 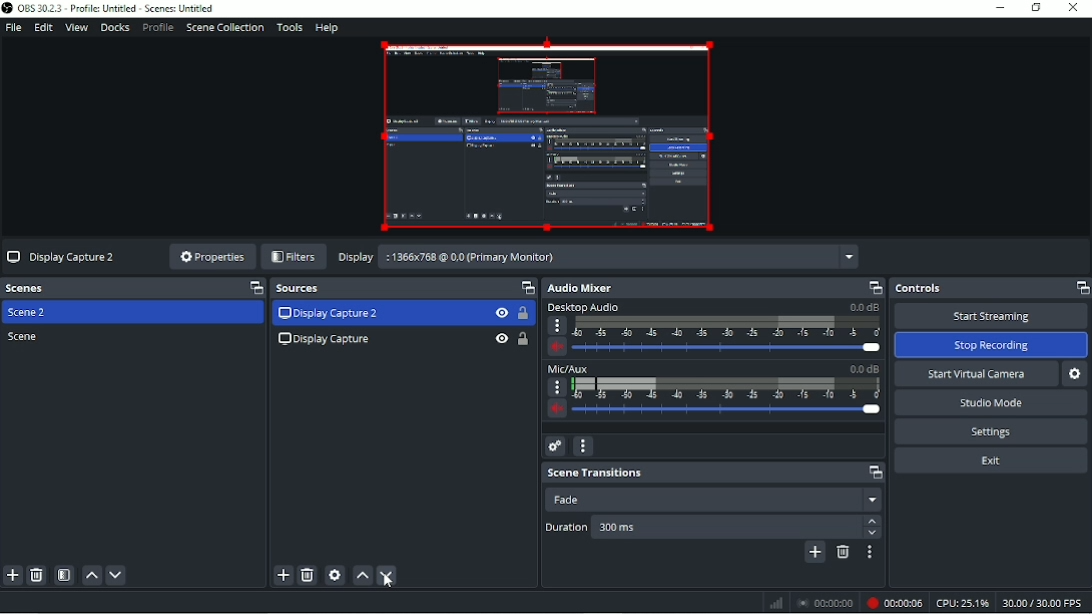 What do you see at coordinates (36, 576) in the screenshot?
I see `Remove selected scene` at bounding box center [36, 576].